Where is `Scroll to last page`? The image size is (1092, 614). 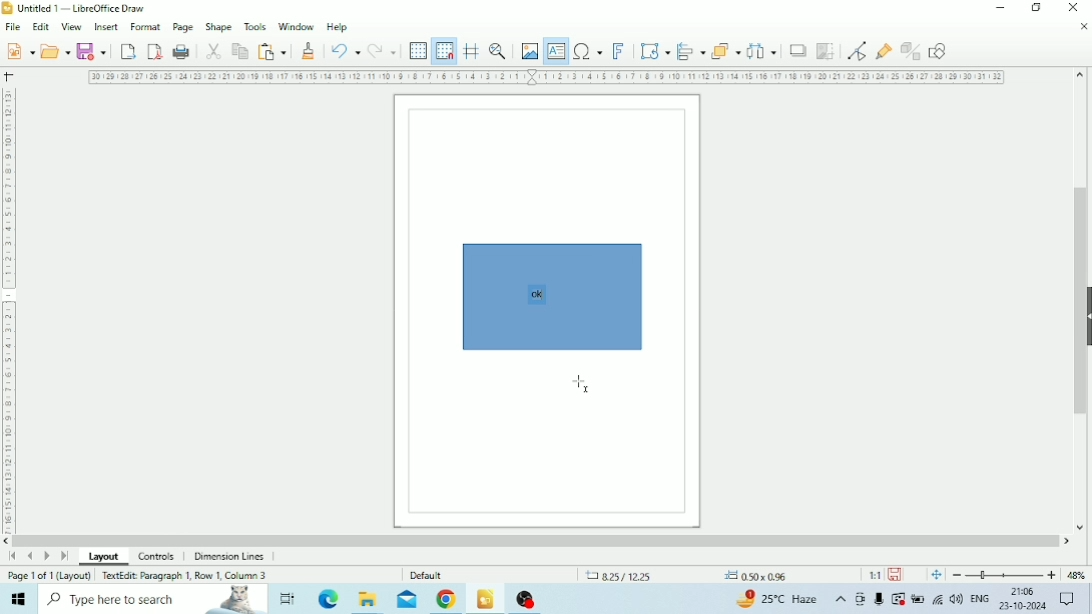 Scroll to last page is located at coordinates (64, 556).